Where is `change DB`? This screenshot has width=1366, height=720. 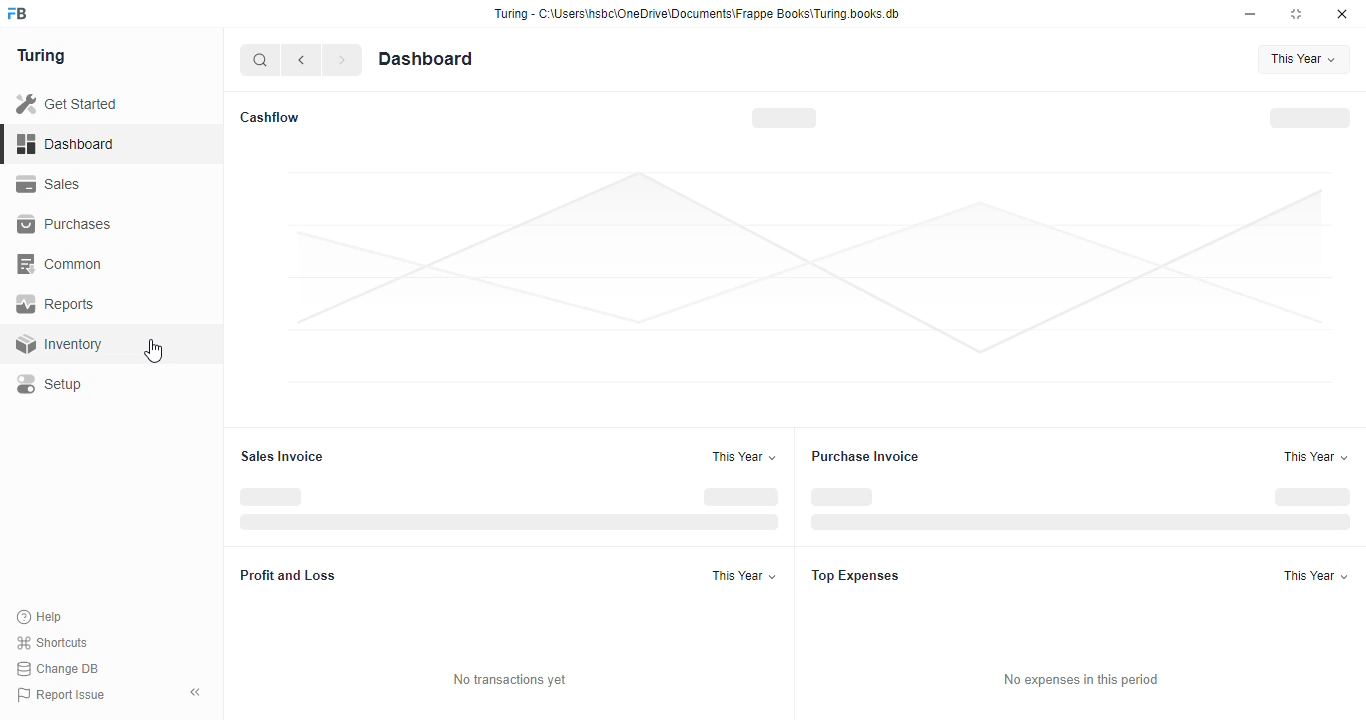 change DB is located at coordinates (58, 669).